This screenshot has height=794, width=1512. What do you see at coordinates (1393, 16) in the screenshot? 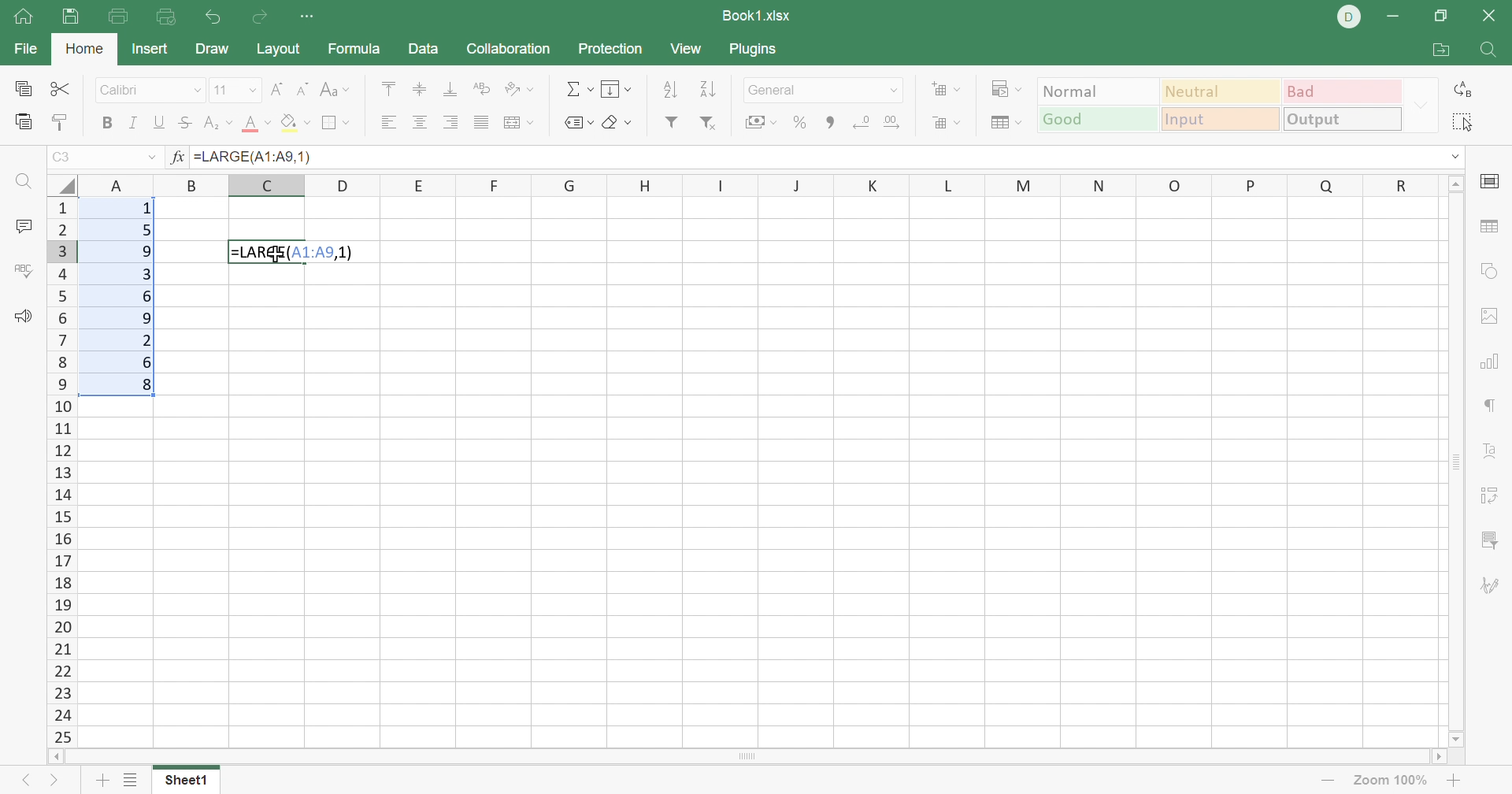
I see `Minimize` at bounding box center [1393, 16].